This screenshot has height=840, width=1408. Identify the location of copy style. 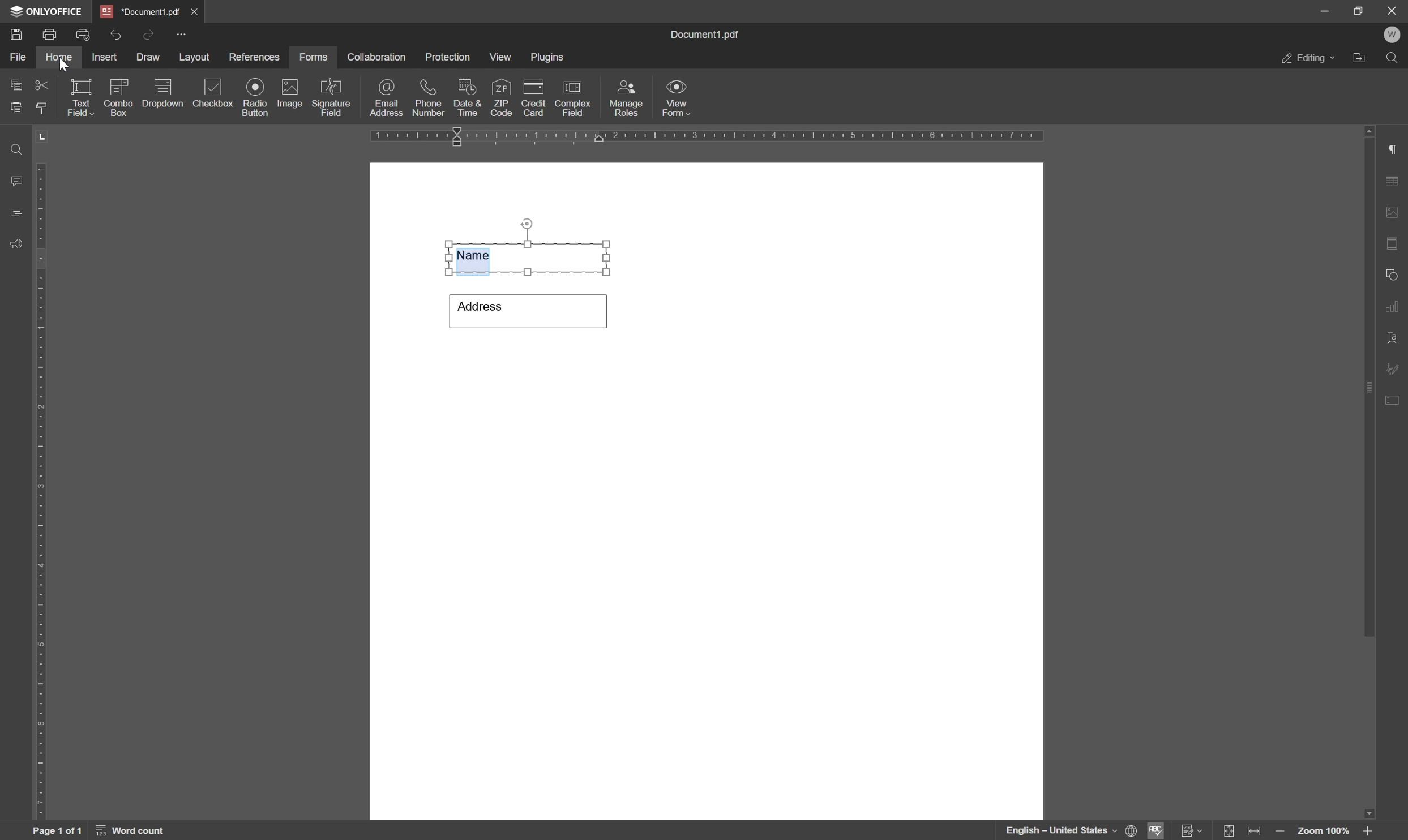
(42, 107).